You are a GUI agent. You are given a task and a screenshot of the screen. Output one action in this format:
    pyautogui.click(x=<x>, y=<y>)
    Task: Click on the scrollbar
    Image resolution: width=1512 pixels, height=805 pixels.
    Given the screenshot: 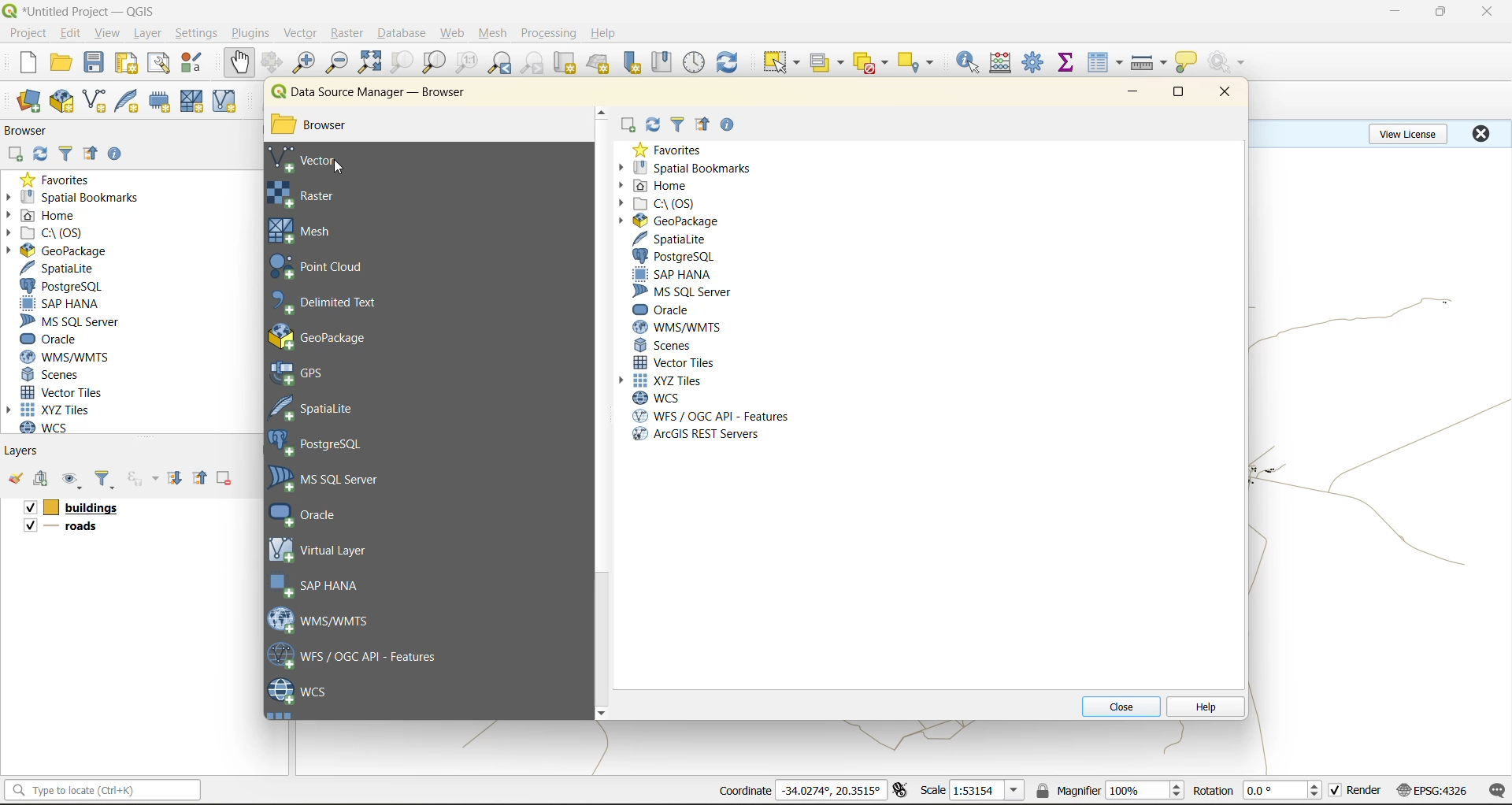 What is the action you would take?
    pyautogui.click(x=602, y=413)
    